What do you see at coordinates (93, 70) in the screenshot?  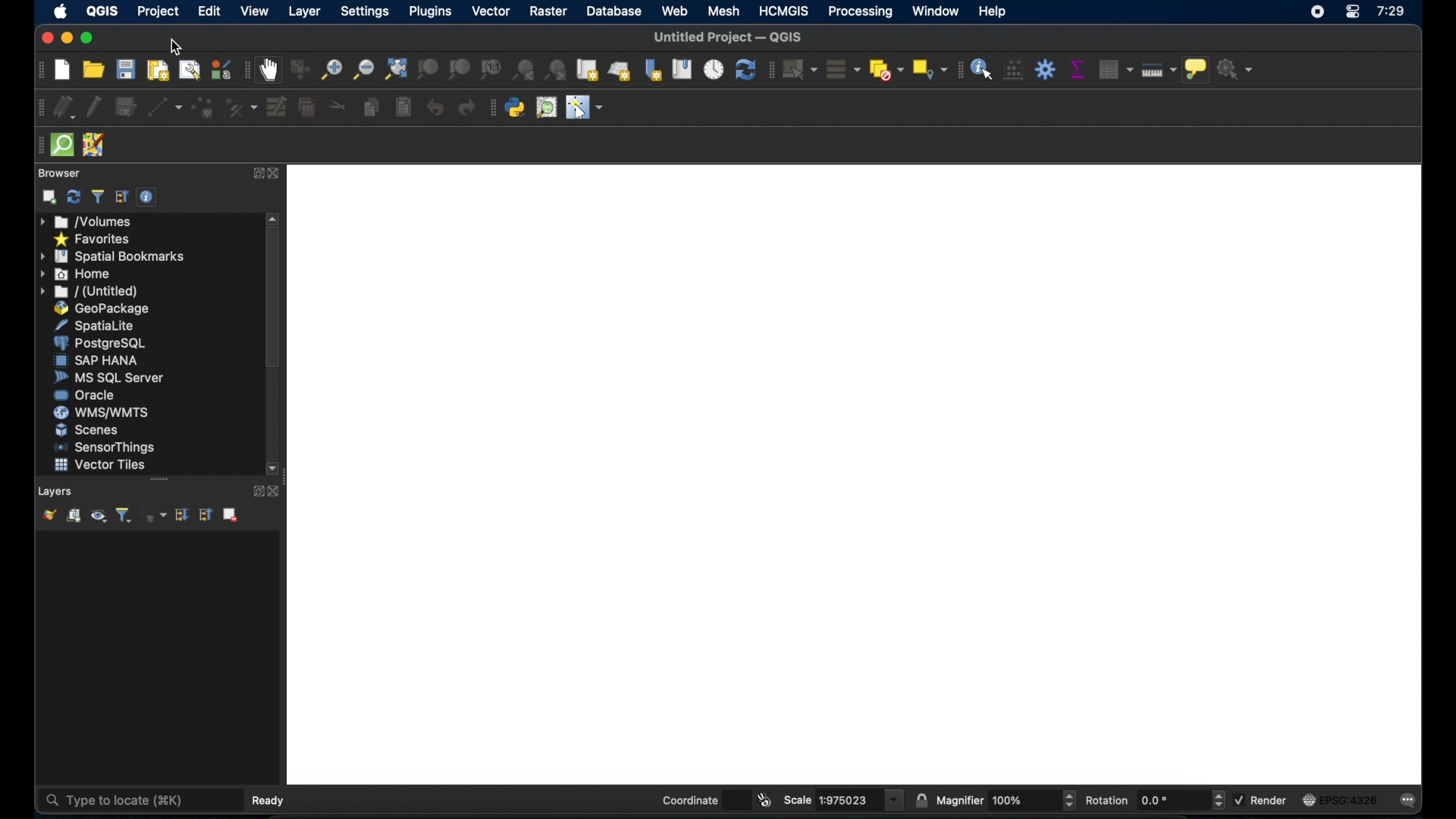 I see `open project` at bounding box center [93, 70].